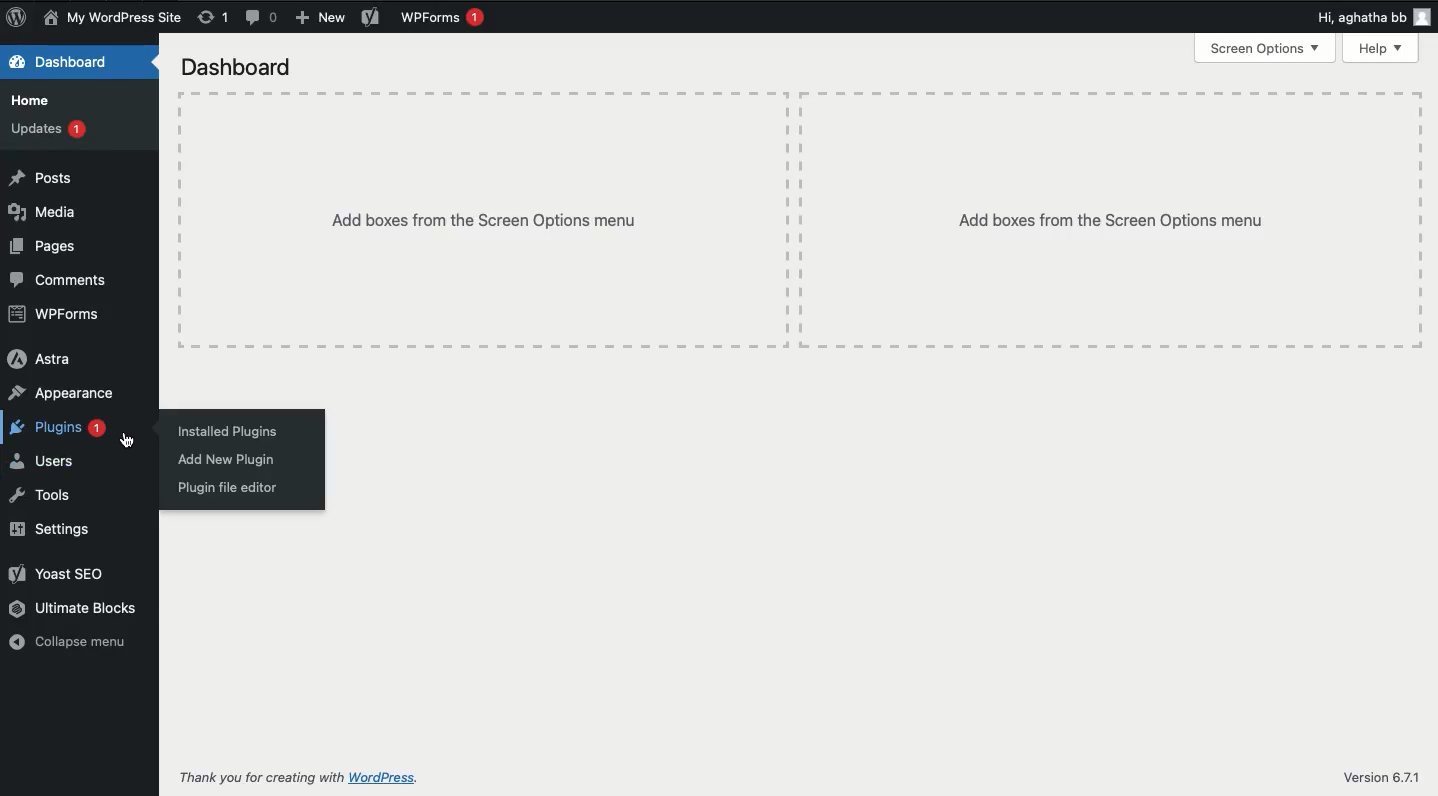  I want to click on Installed plugins, so click(226, 430).